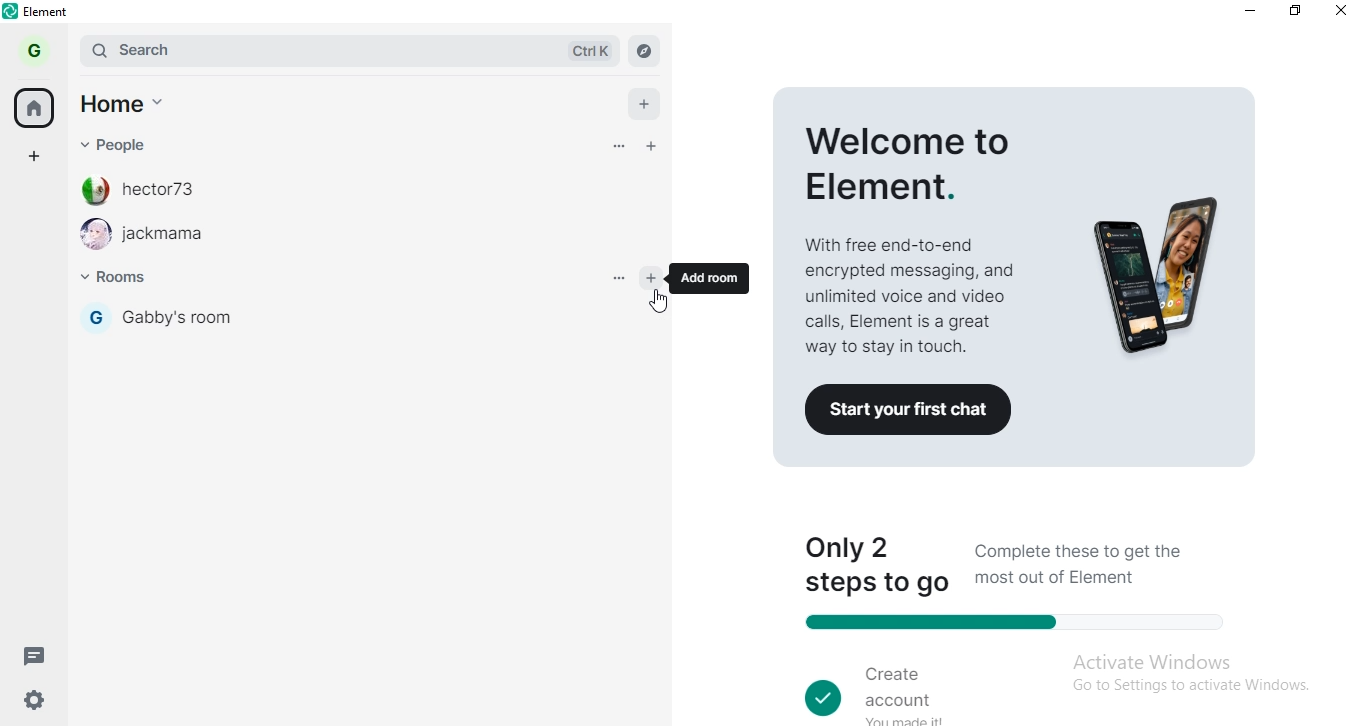 The height and width of the screenshot is (726, 1366). What do you see at coordinates (162, 192) in the screenshot?
I see `hector73` at bounding box center [162, 192].